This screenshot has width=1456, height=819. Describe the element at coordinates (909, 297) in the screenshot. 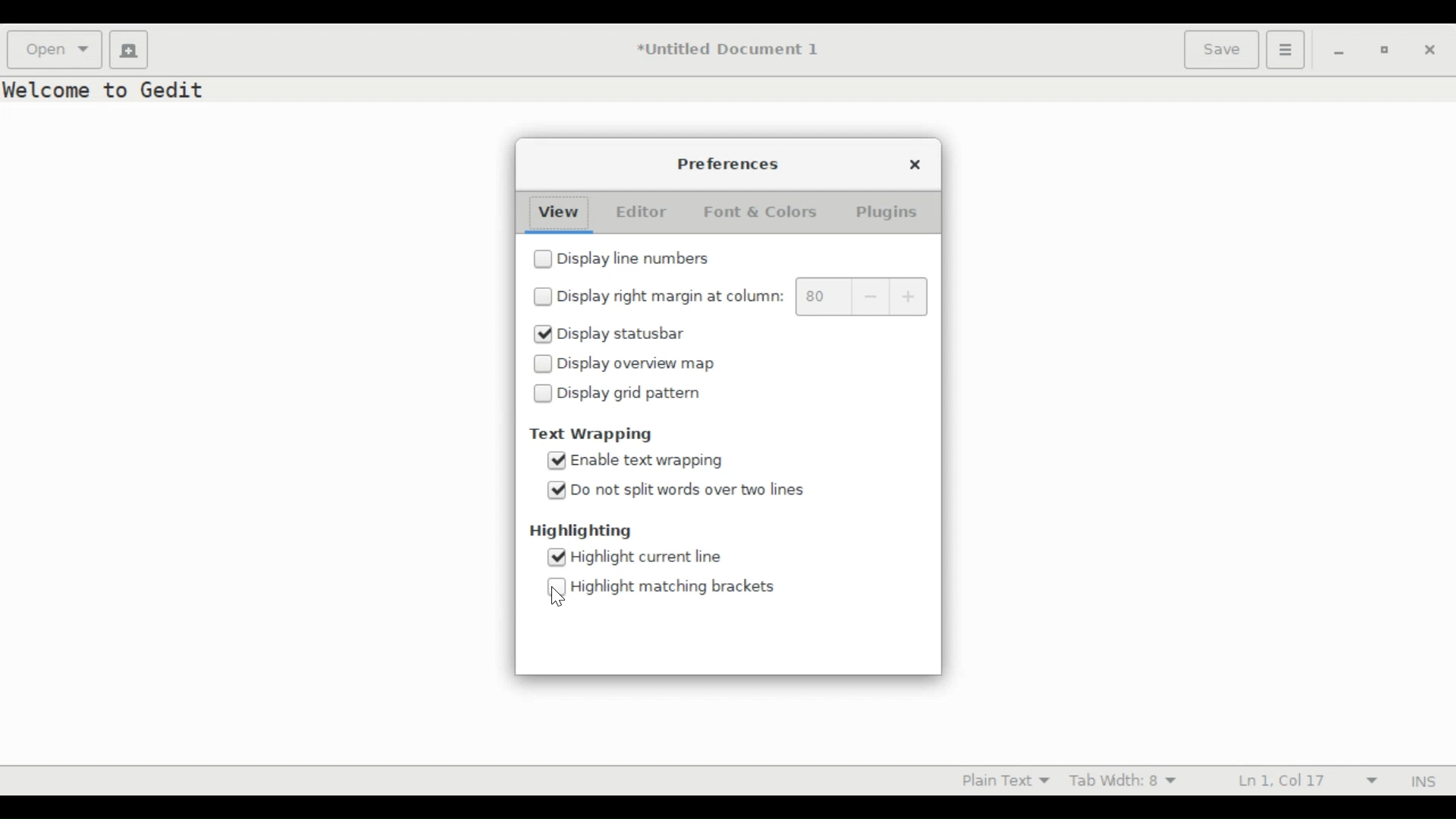

I see `increase` at that location.